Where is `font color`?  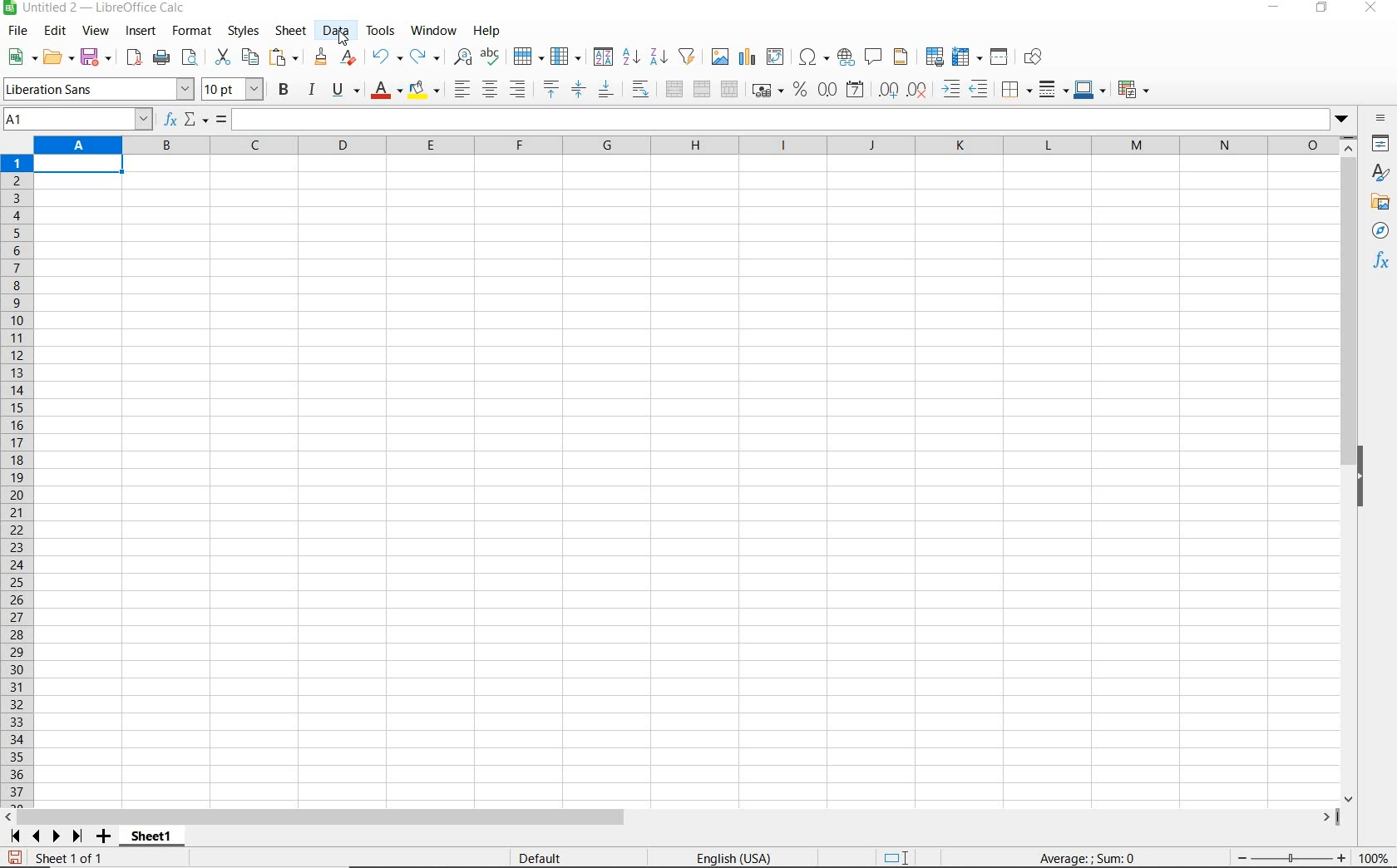 font color is located at coordinates (388, 90).